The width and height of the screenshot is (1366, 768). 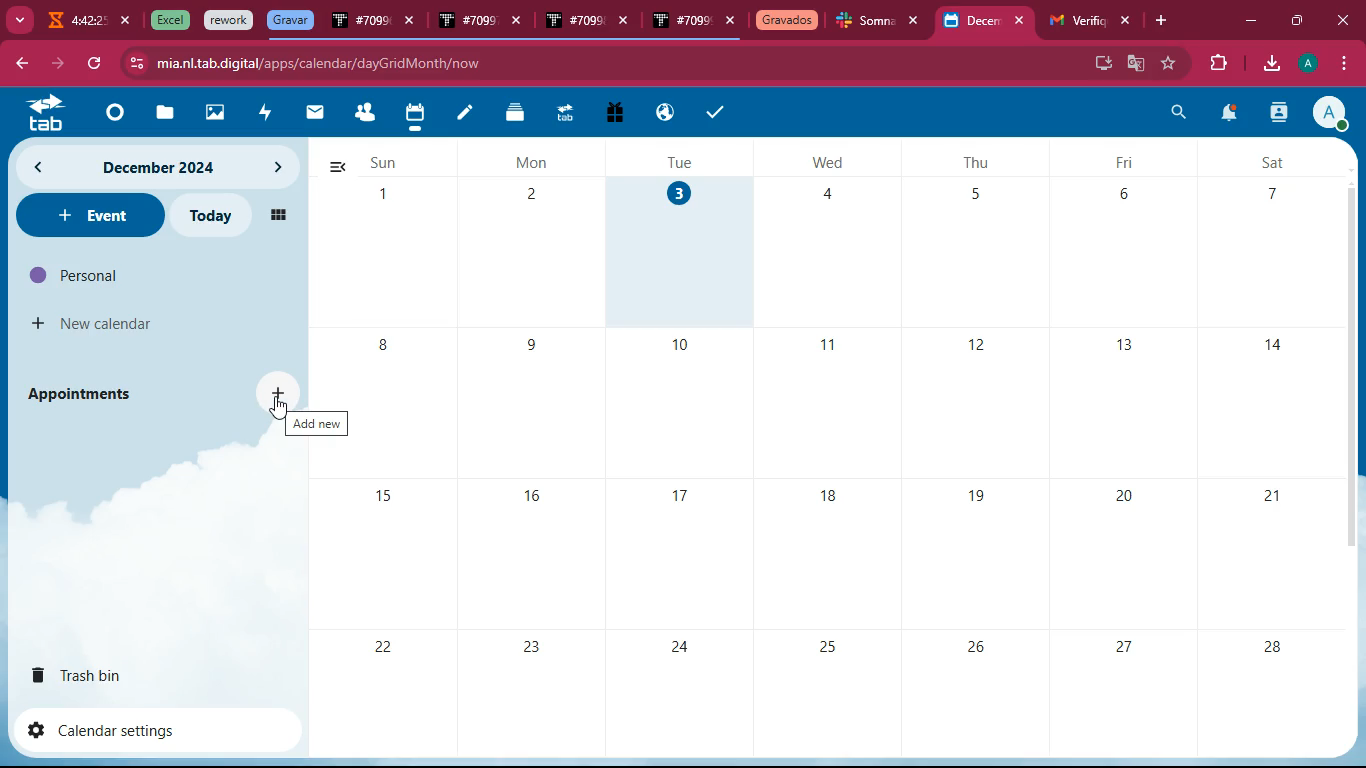 I want to click on tab, so click(x=360, y=24).